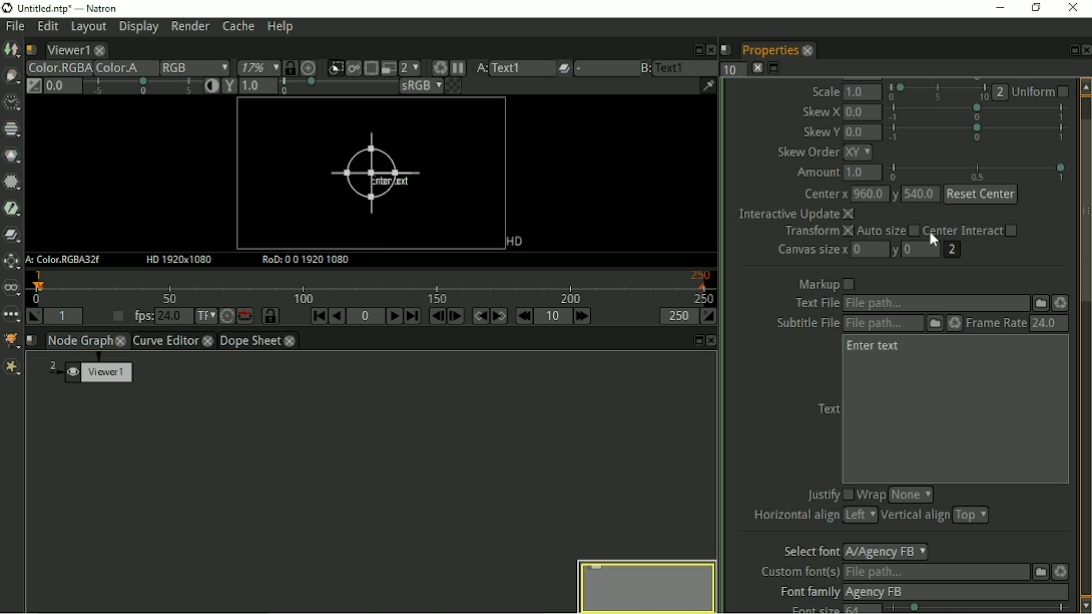  I want to click on close, so click(807, 50).